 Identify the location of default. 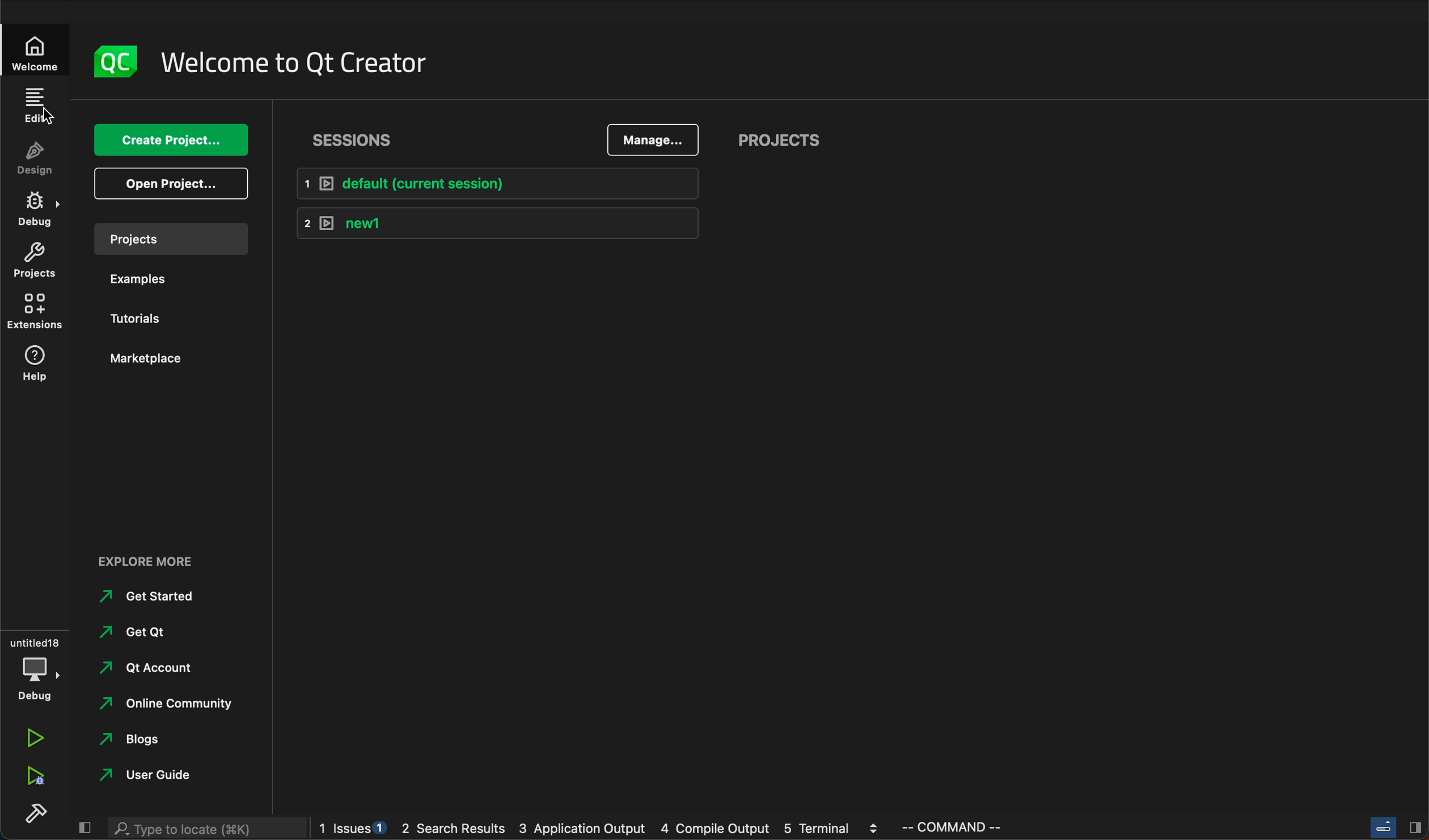
(494, 184).